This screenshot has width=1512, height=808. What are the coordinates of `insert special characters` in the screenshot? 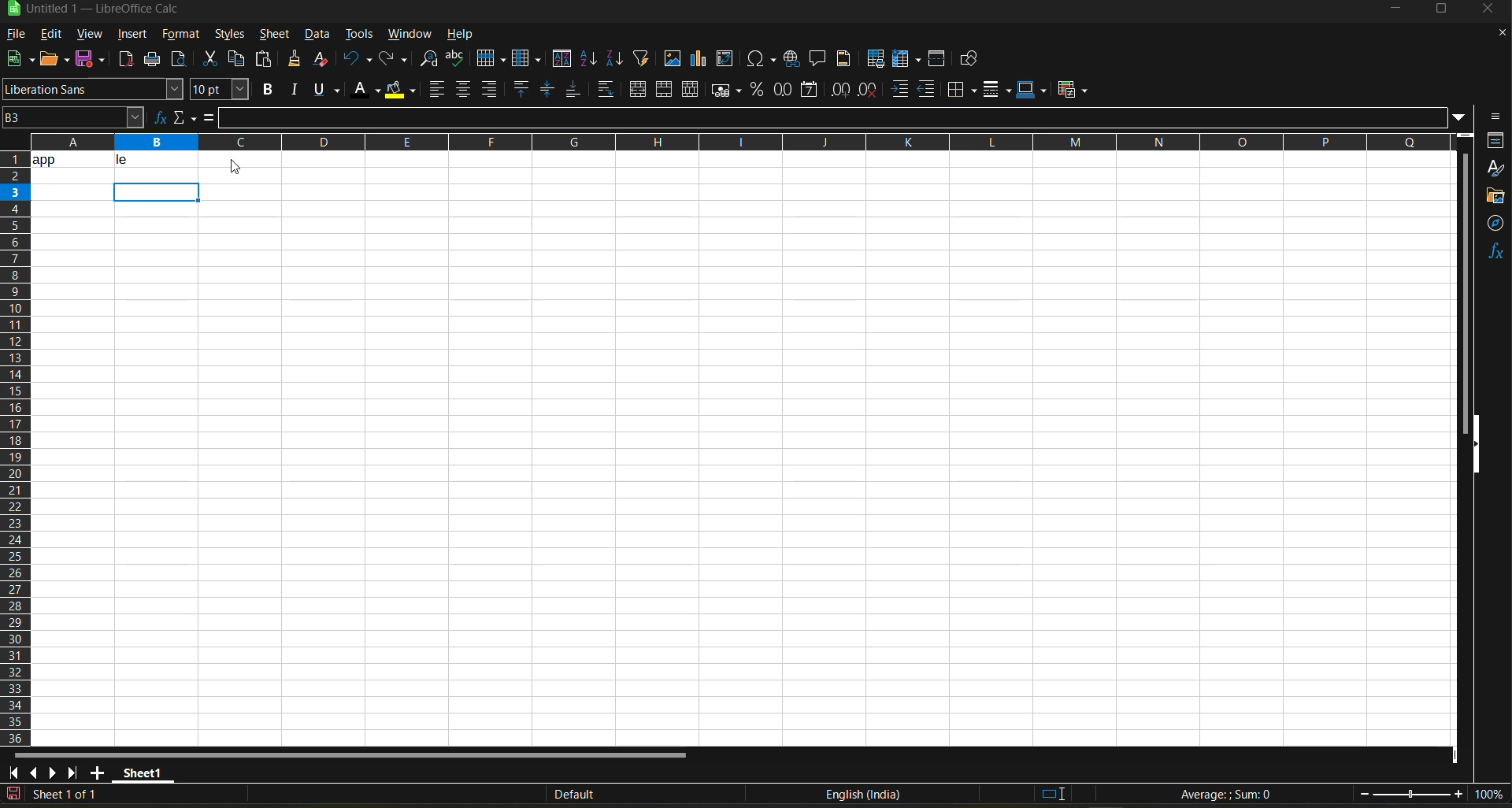 It's located at (765, 60).